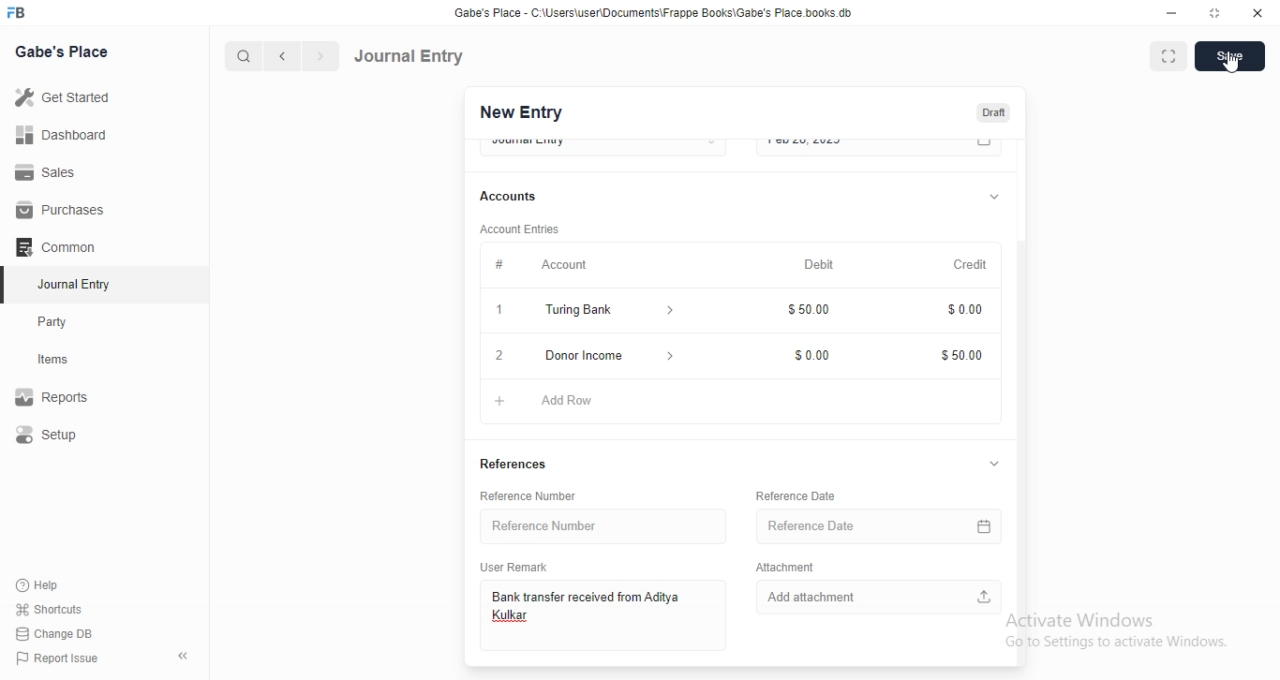 This screenshot has width=1280, height=680. Describe the element at coordinates (66, 361) in the screenshot. I see `items` at that location.